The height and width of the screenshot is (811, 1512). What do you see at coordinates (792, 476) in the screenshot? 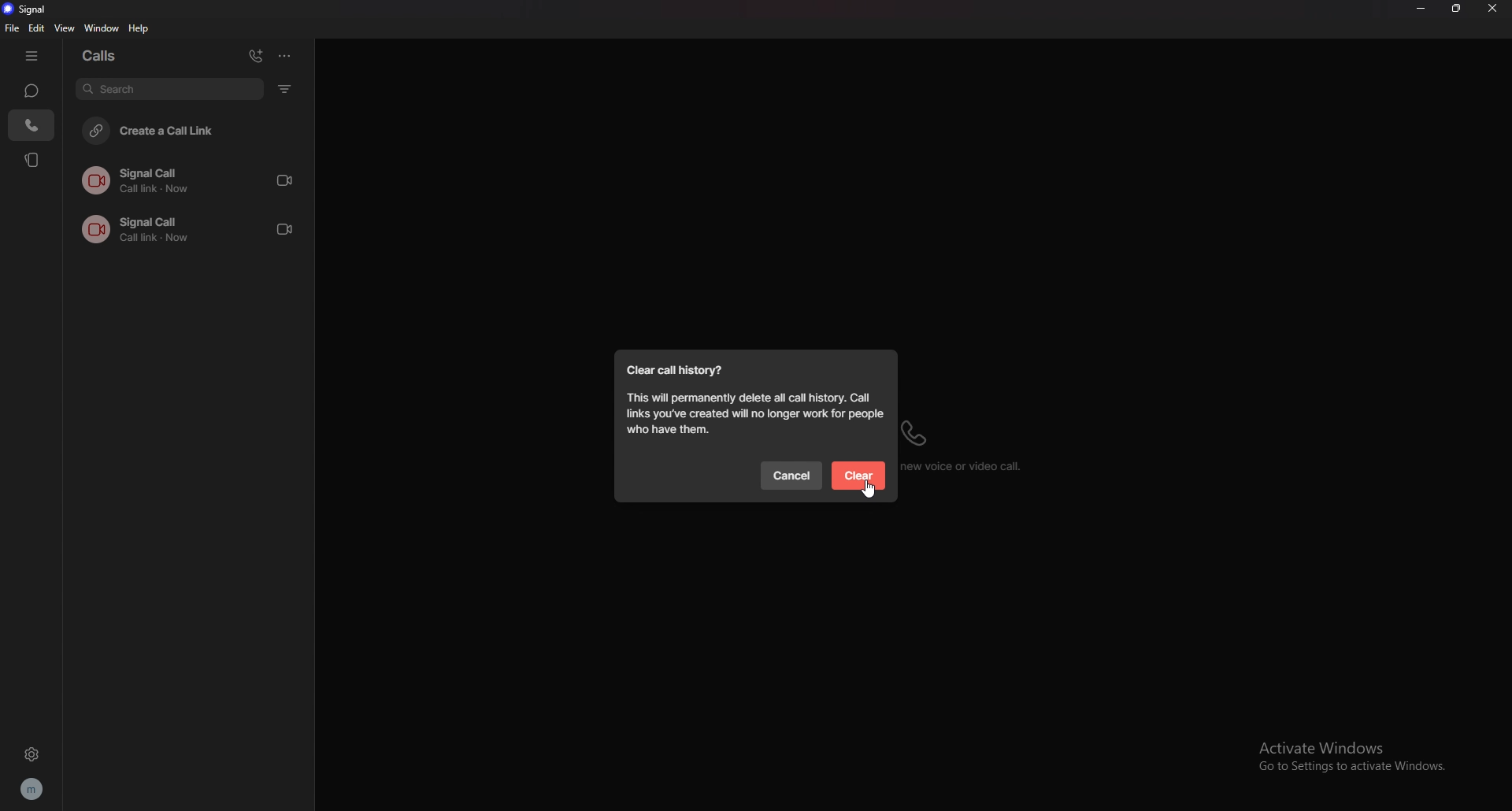
I see `cancel` at bounding box center [792, 476].